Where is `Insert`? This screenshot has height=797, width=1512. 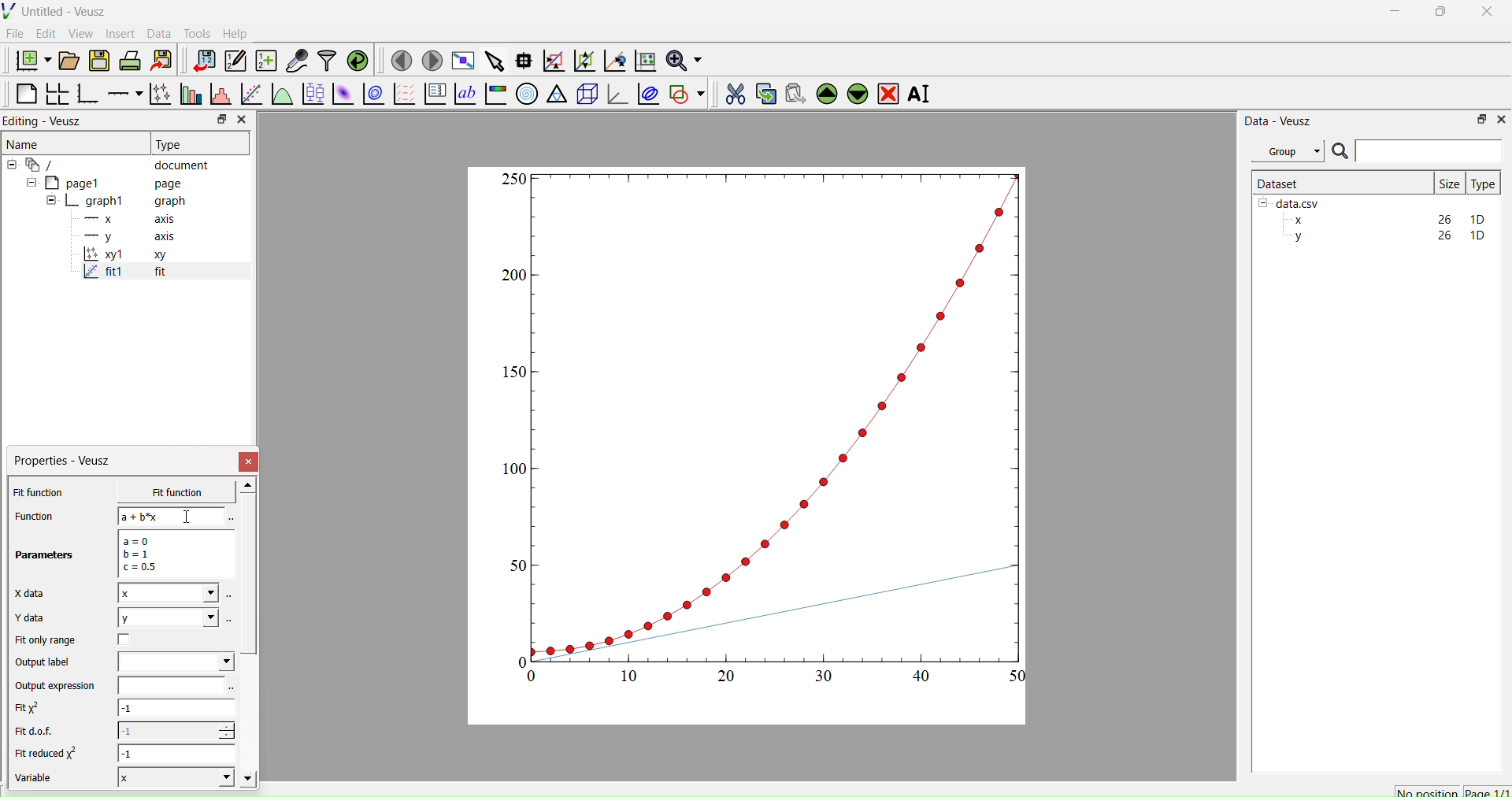
Insert is located at coordinates (123, 33).